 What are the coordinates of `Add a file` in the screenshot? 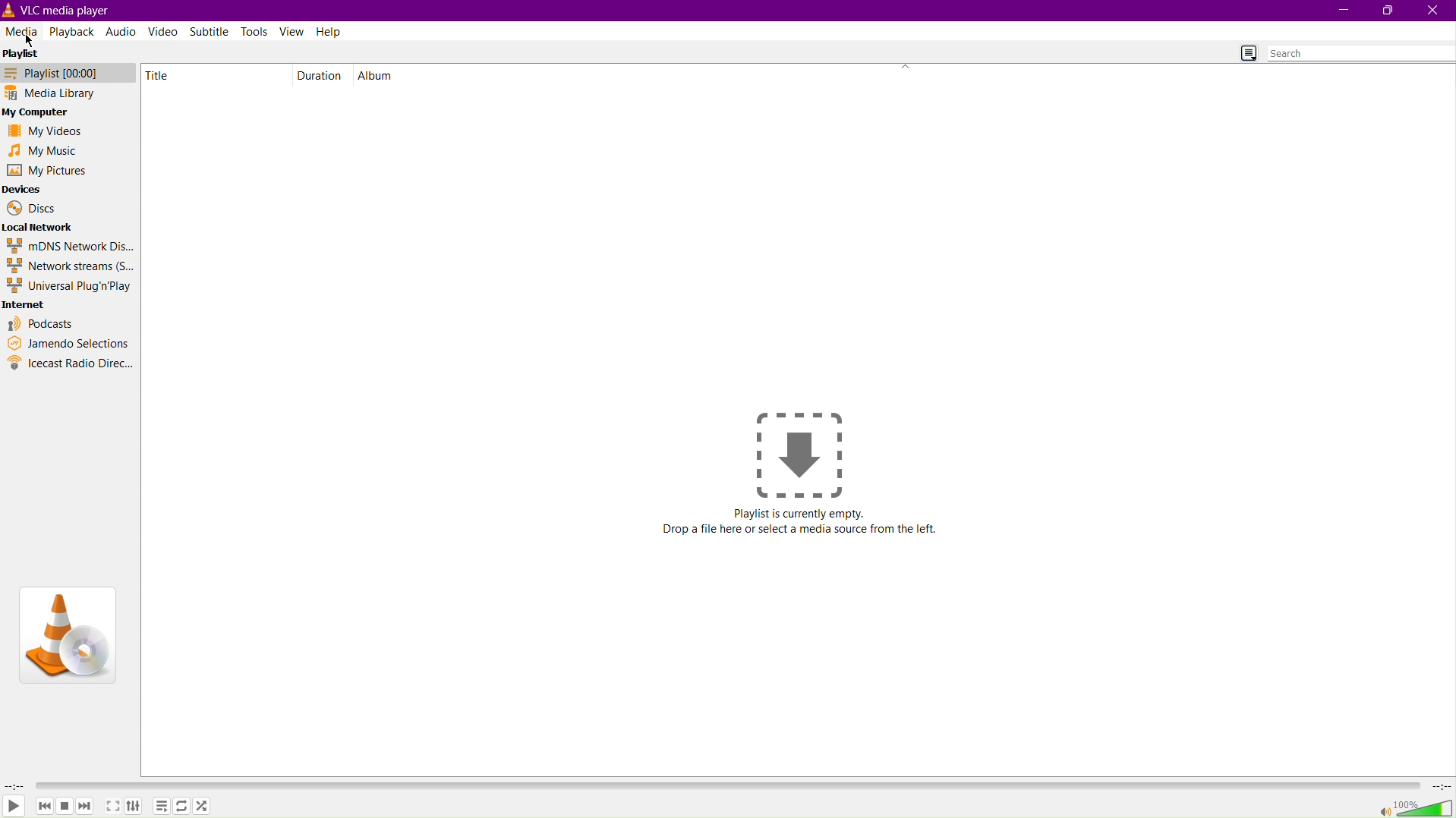 It's located at (802, 449).